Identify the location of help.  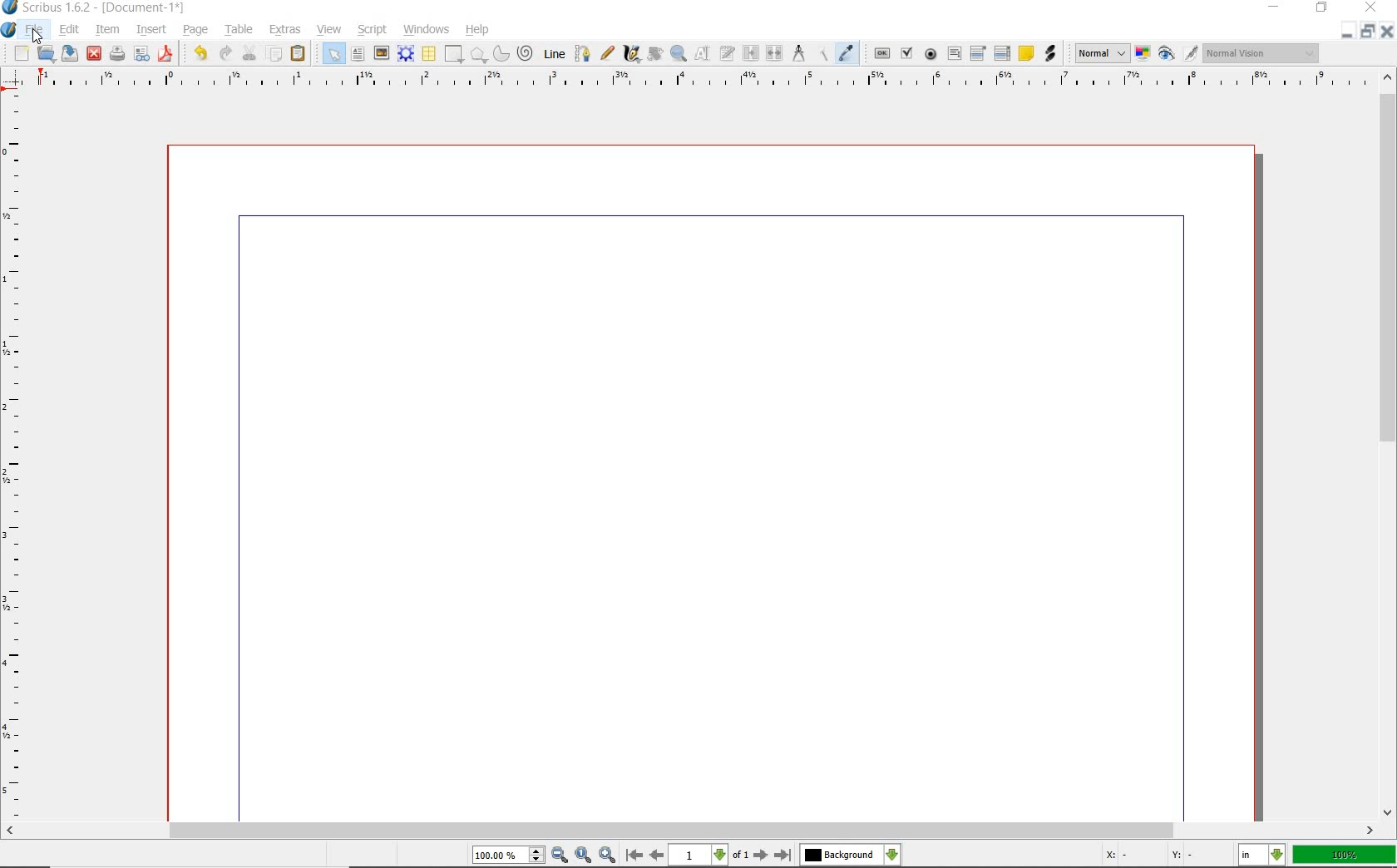
(478, 31).